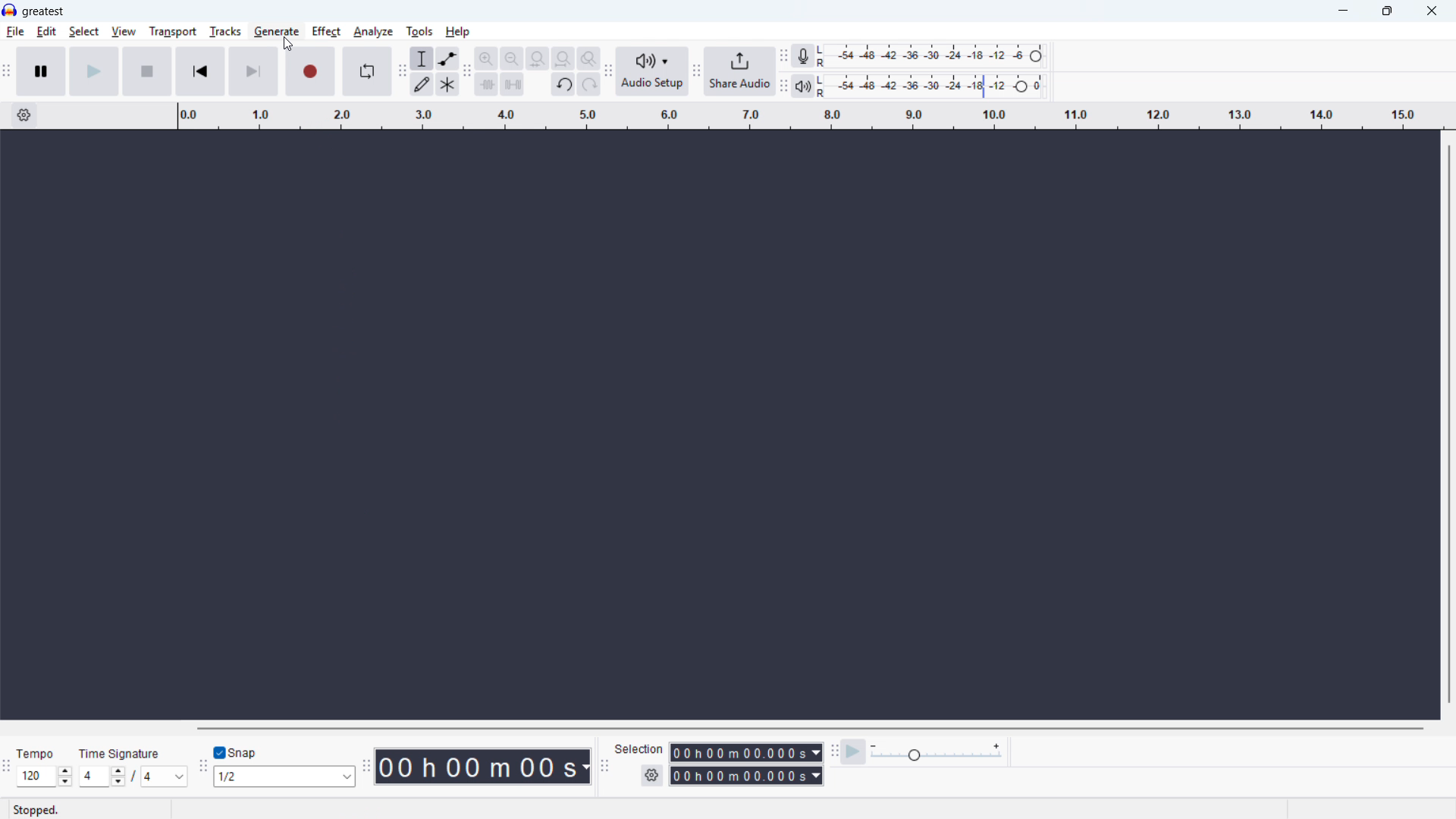  Describe the element at coordinates (24, 116) in the screenshot. I see `timeline settings` at that location.